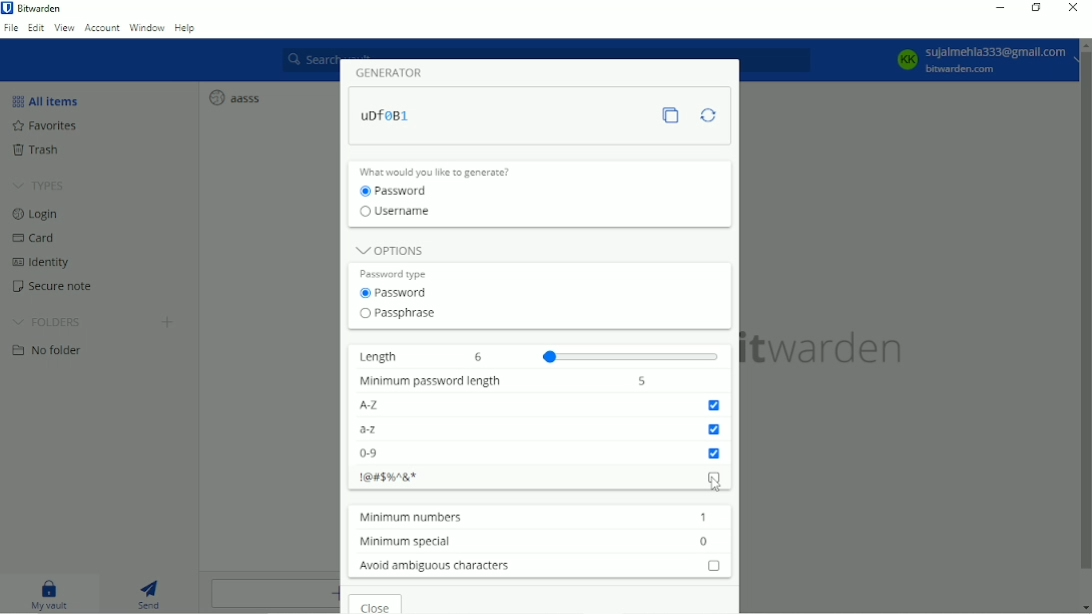  Describe the element at coordinates (65, 28) in the screenshot. I see `View` at that location.